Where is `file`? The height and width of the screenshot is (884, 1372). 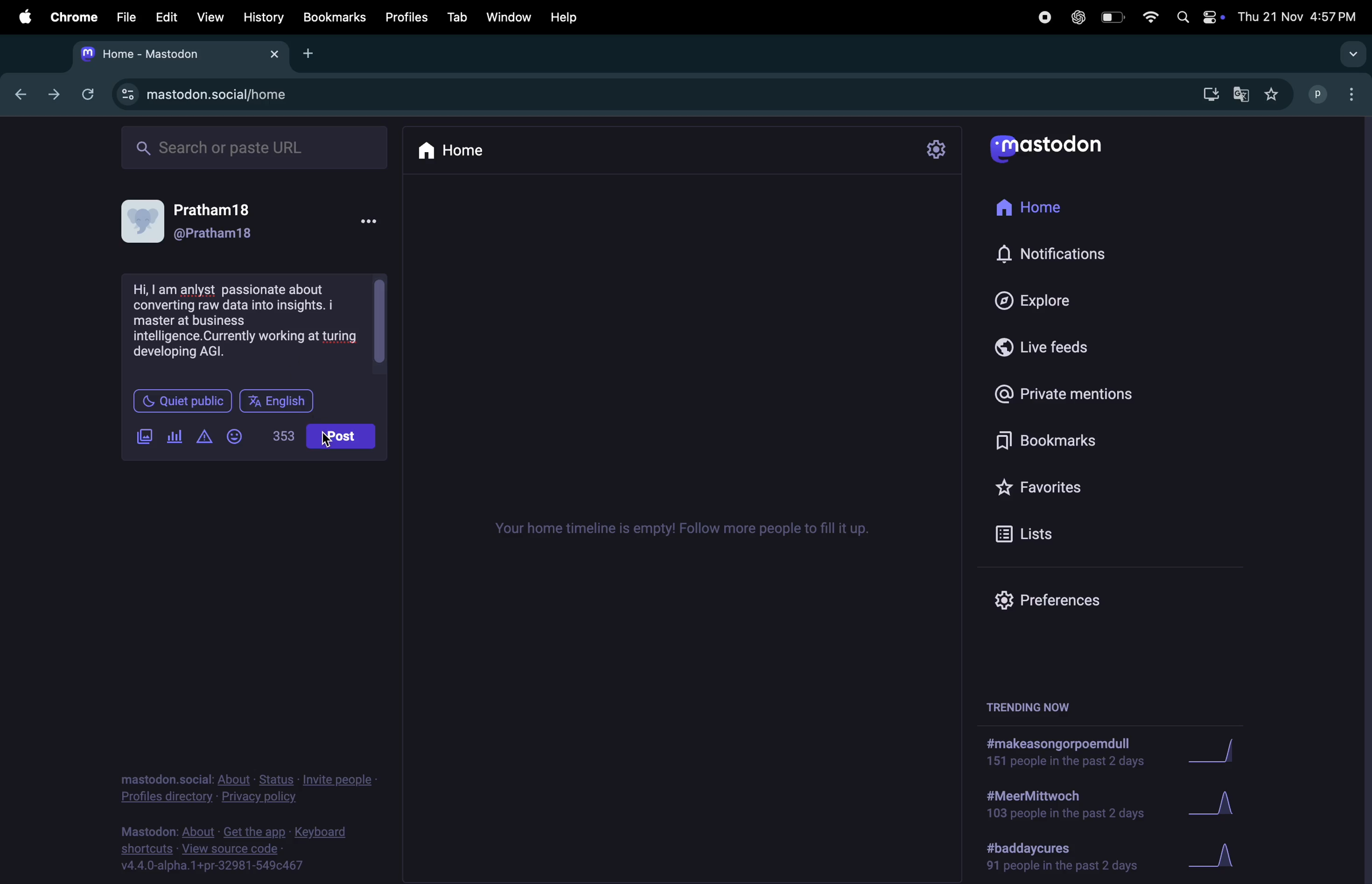 file is located at coordinates (122, 18).